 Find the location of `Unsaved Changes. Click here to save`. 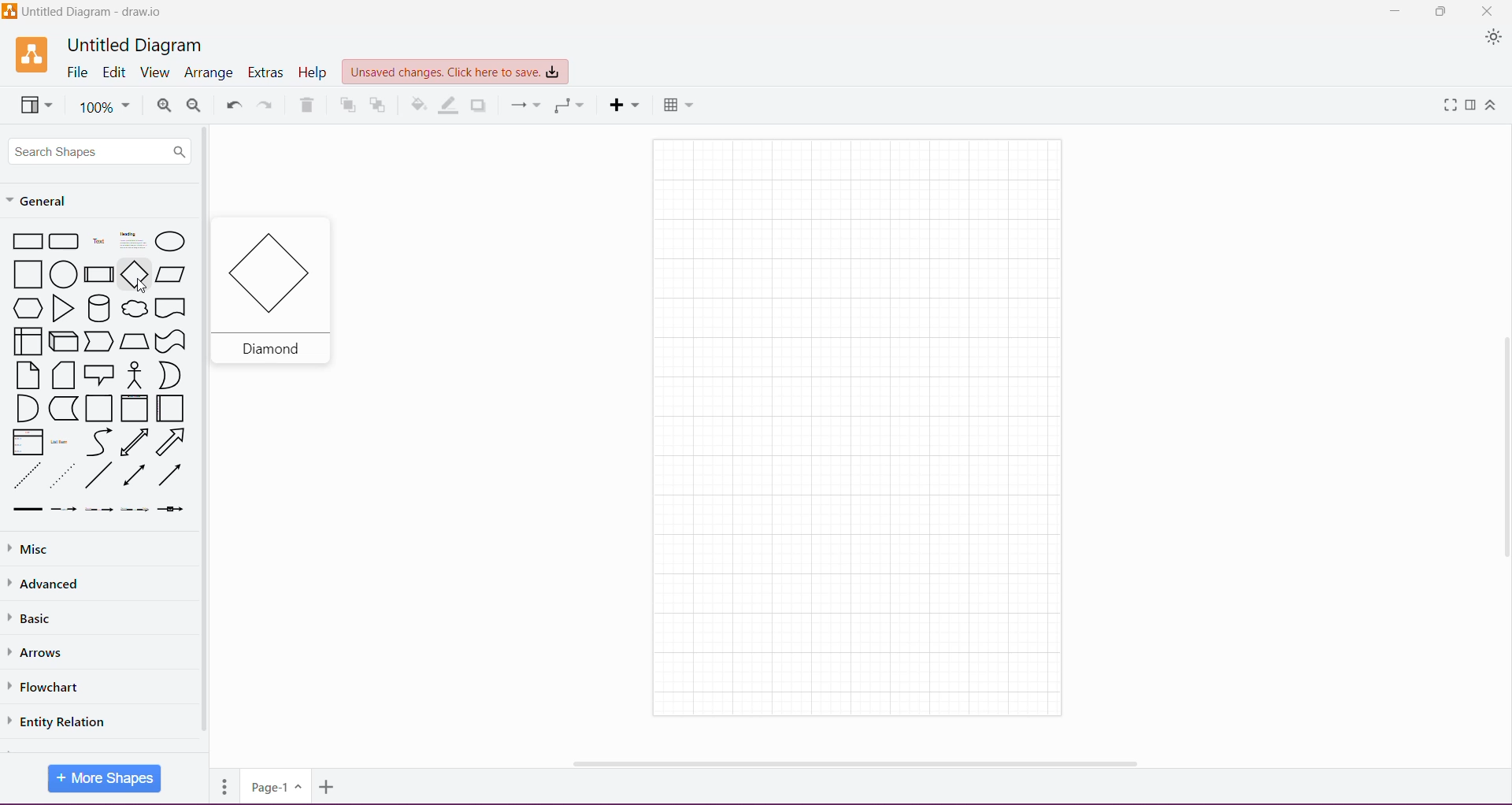

Unsaved Changes. Click here to save is located at coordinates (454, 72).